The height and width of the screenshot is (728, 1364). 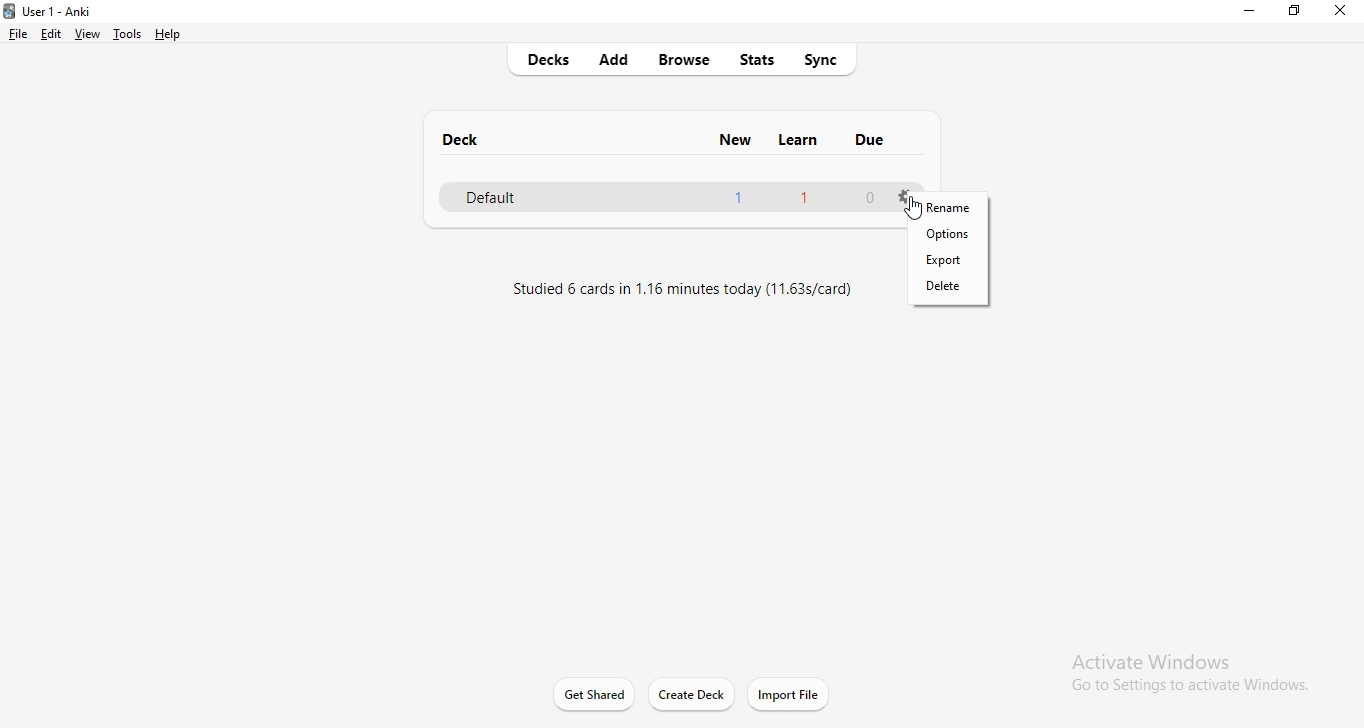 What do you see at coordinates (951, 292) in the screenshot?
I see `delete` at bounding box center [951, 292].